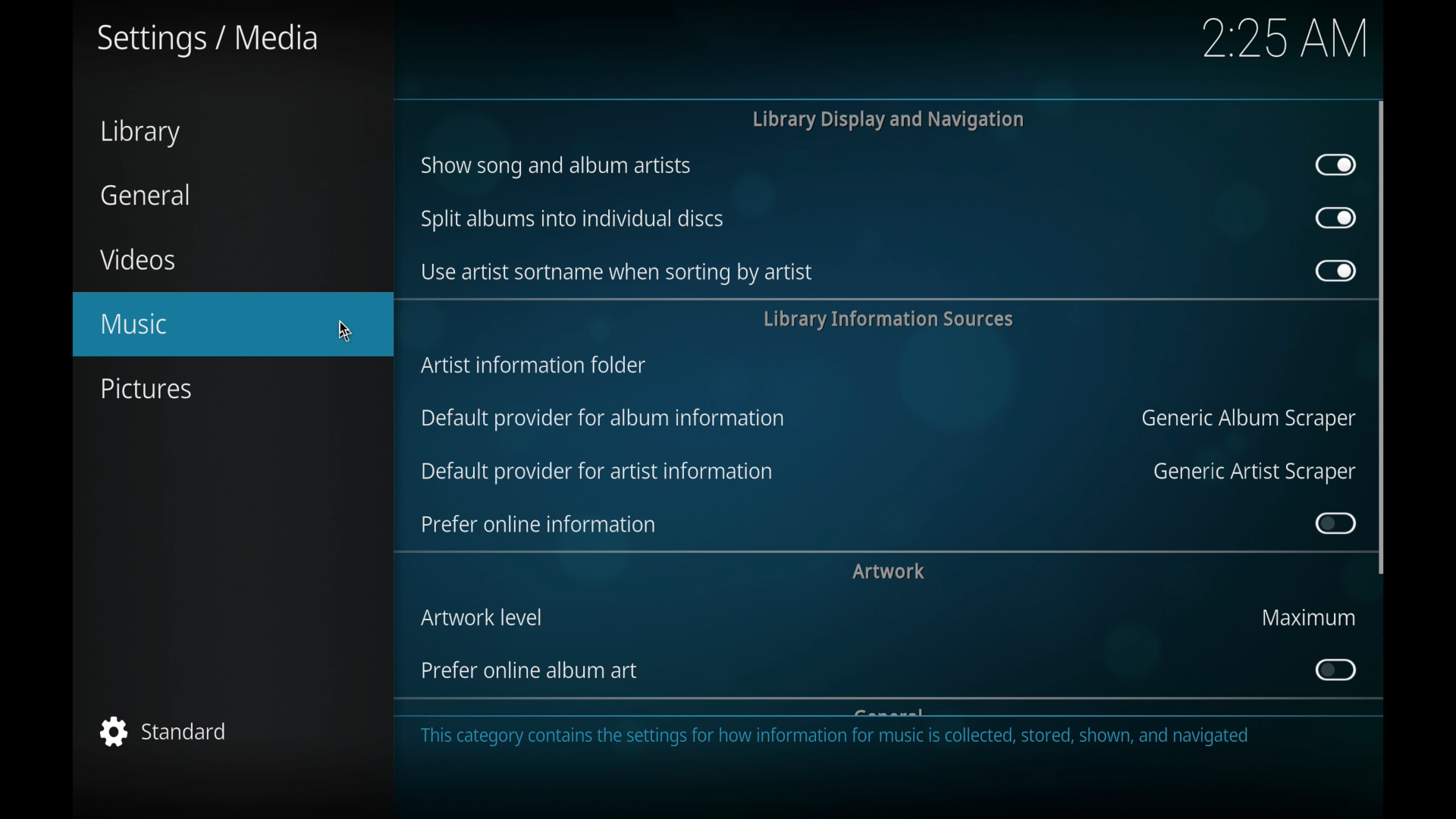 The width and height of the screenshot is (1456, 819). Describe the element at coordinates (887, 320) in the screenshot. I see `library information services` at that location.